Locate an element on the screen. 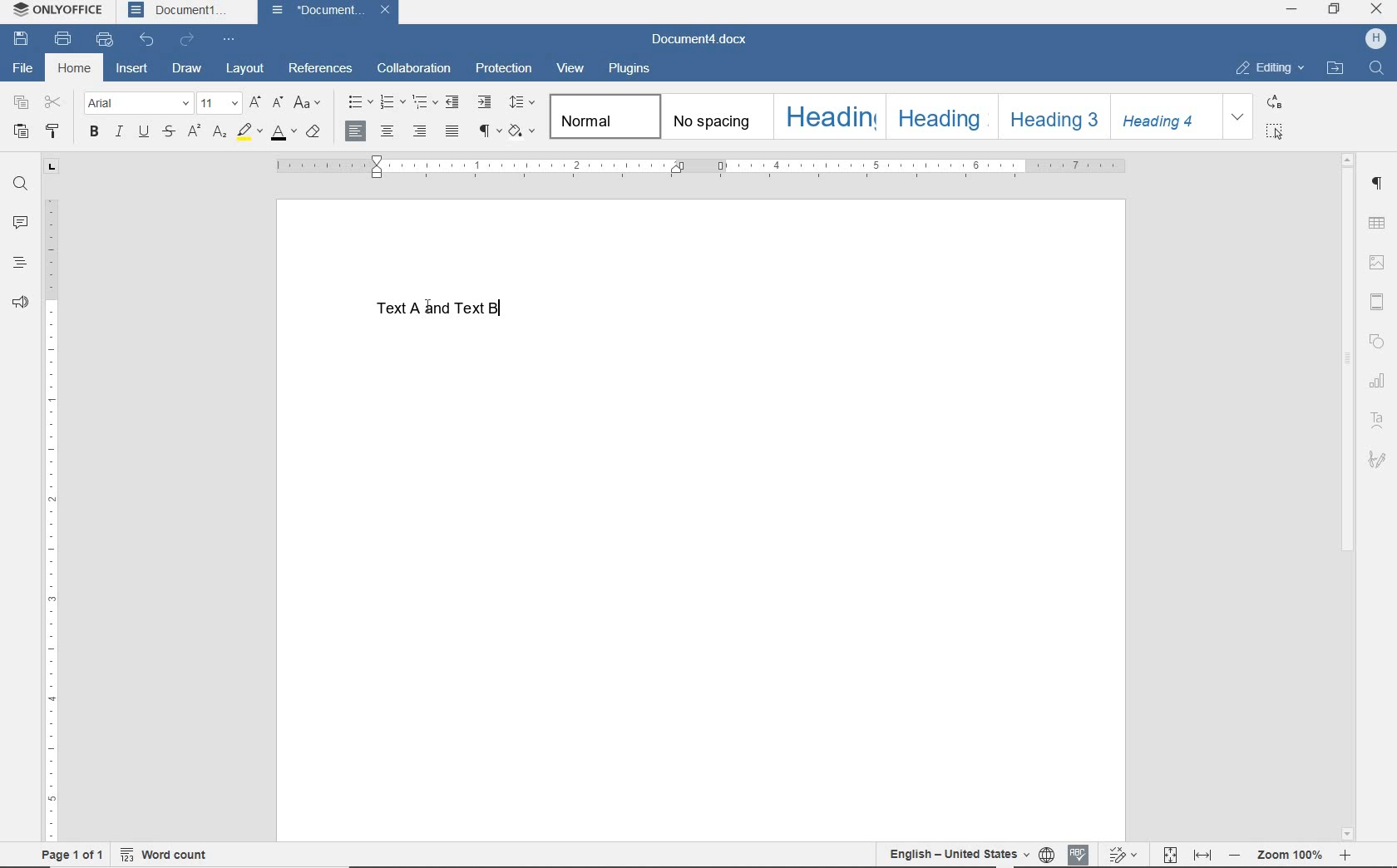 This screenshot has height=868, width=1397. CUT is located at coordinates (54, 103).